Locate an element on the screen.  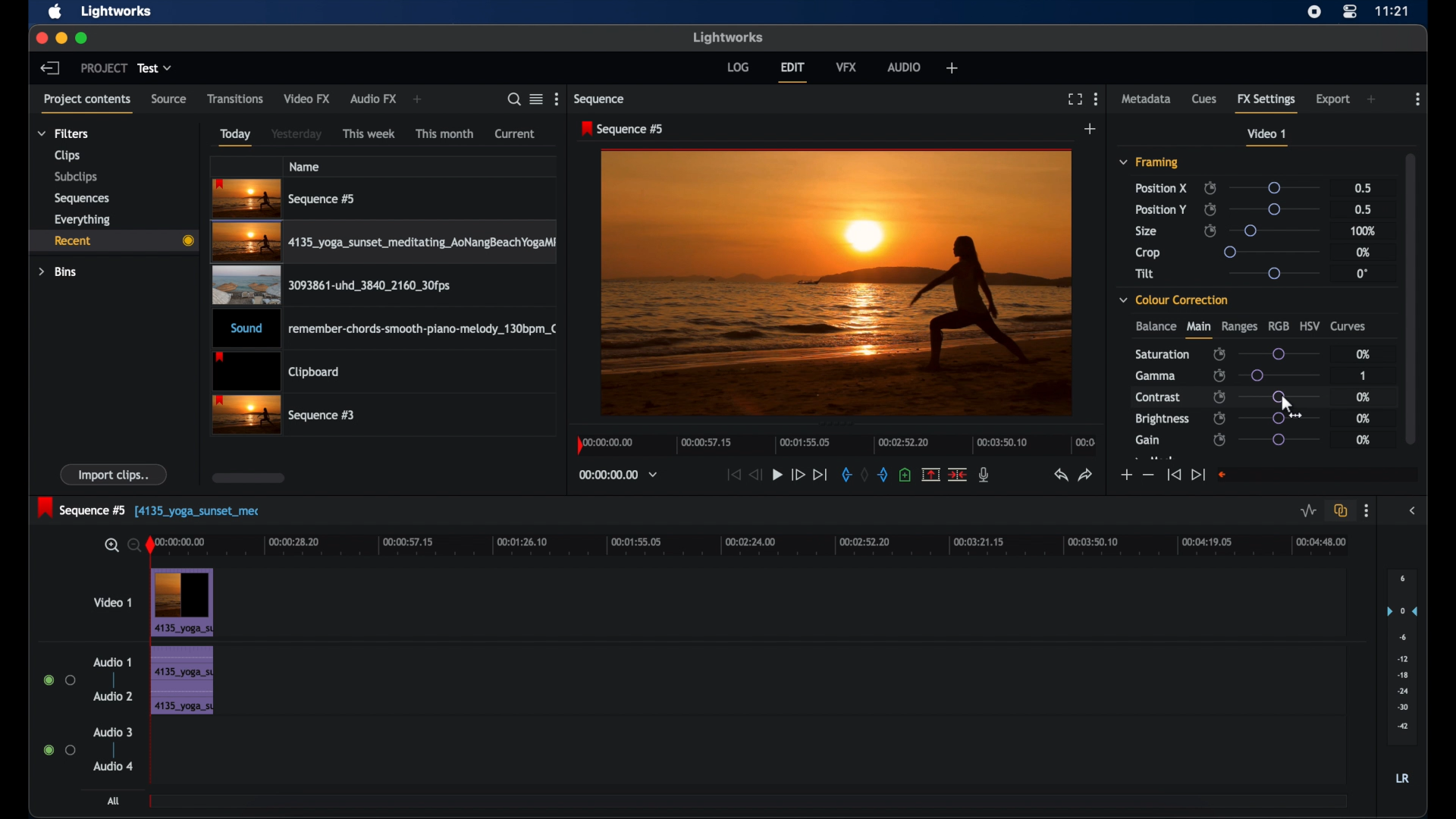
framing is located at coordinates (1148, 162).